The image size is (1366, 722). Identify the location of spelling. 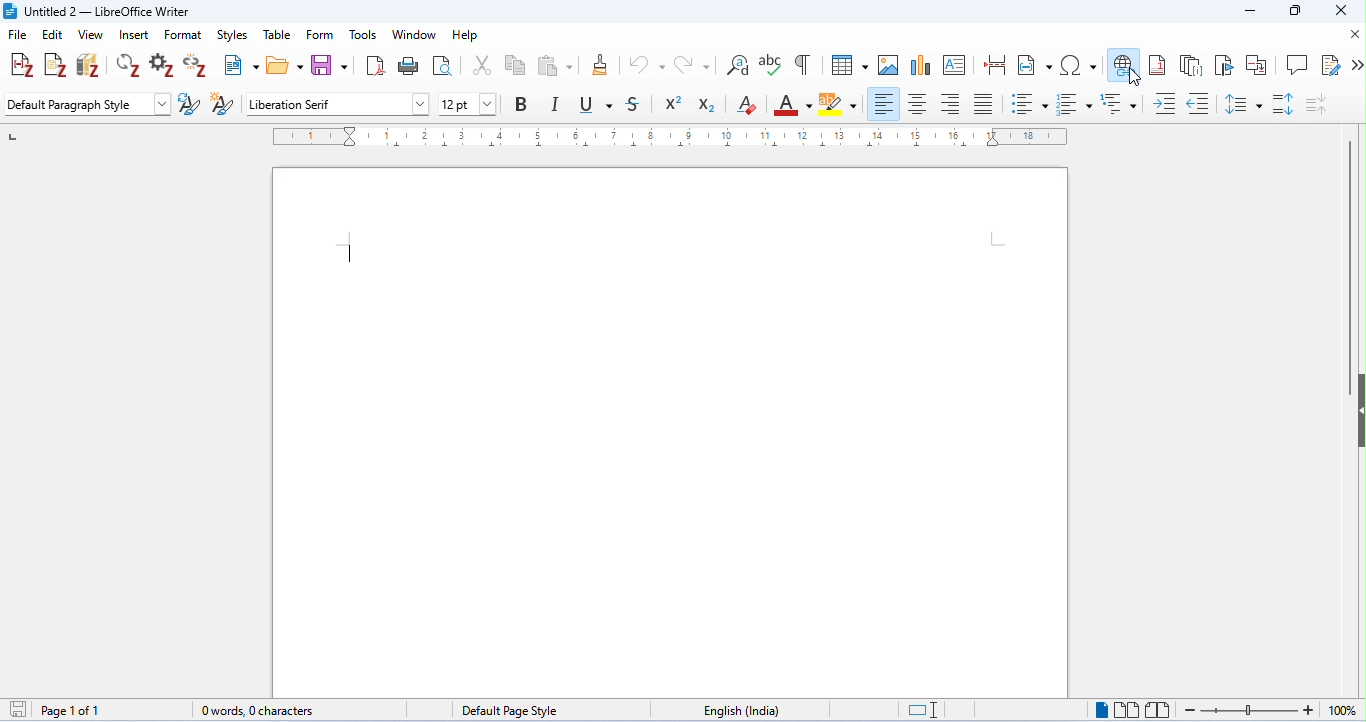
(772, 65).